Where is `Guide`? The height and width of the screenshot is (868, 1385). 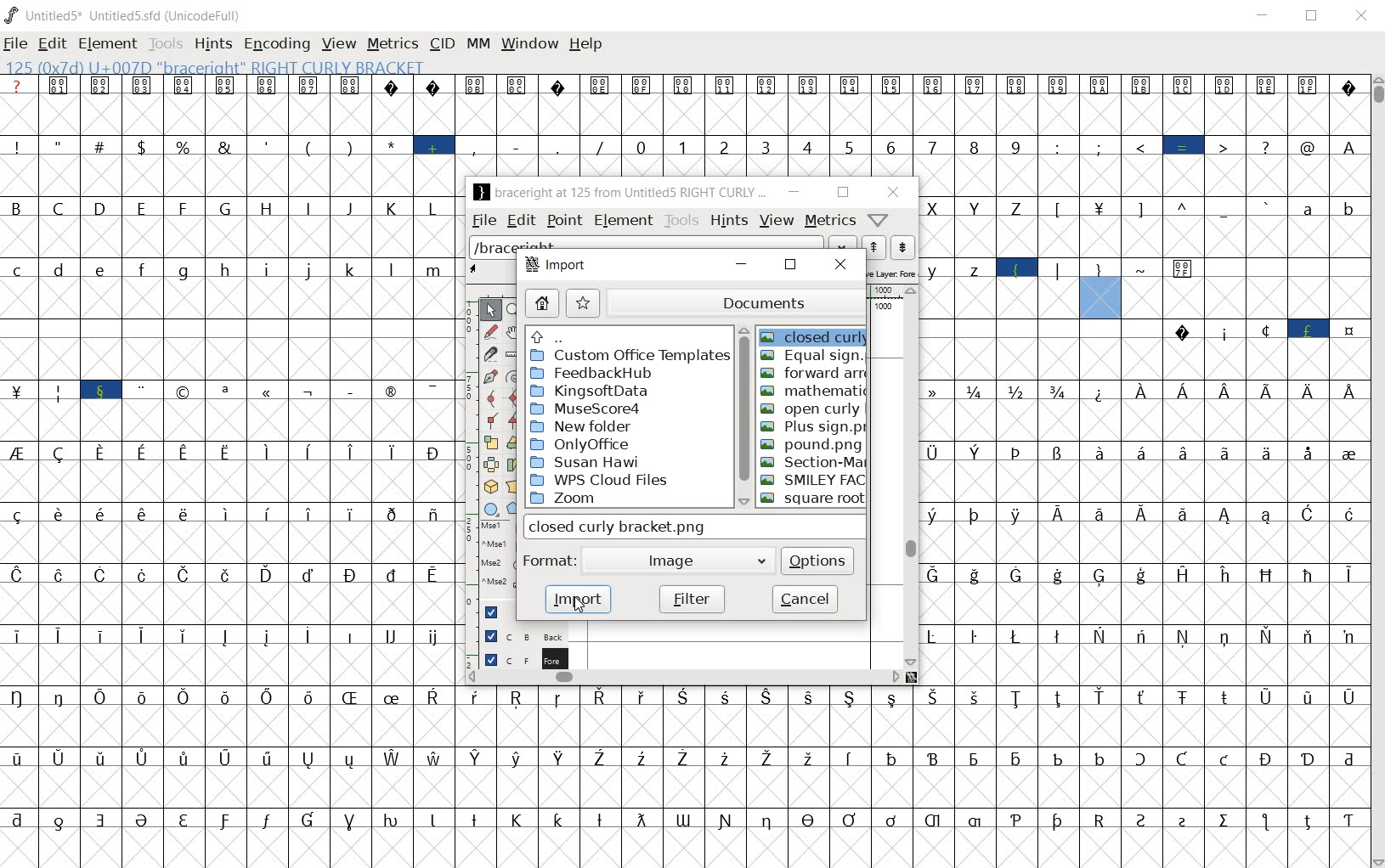 Guide is located at coordinates (490, 612).